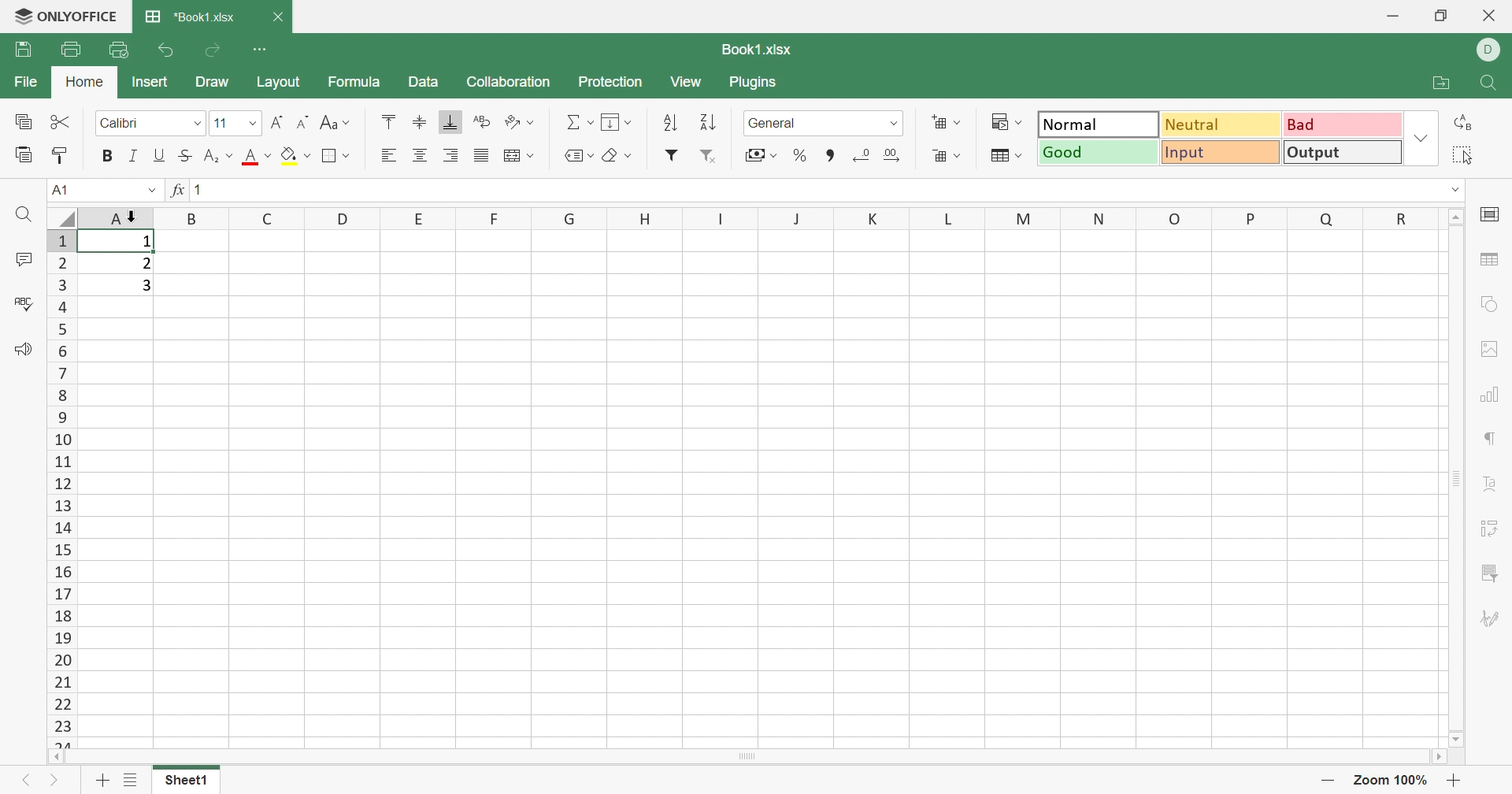 Image resolution: width=1512 pixels, height=794 pixels. I want to click on Image settings, so click(1484, 347).